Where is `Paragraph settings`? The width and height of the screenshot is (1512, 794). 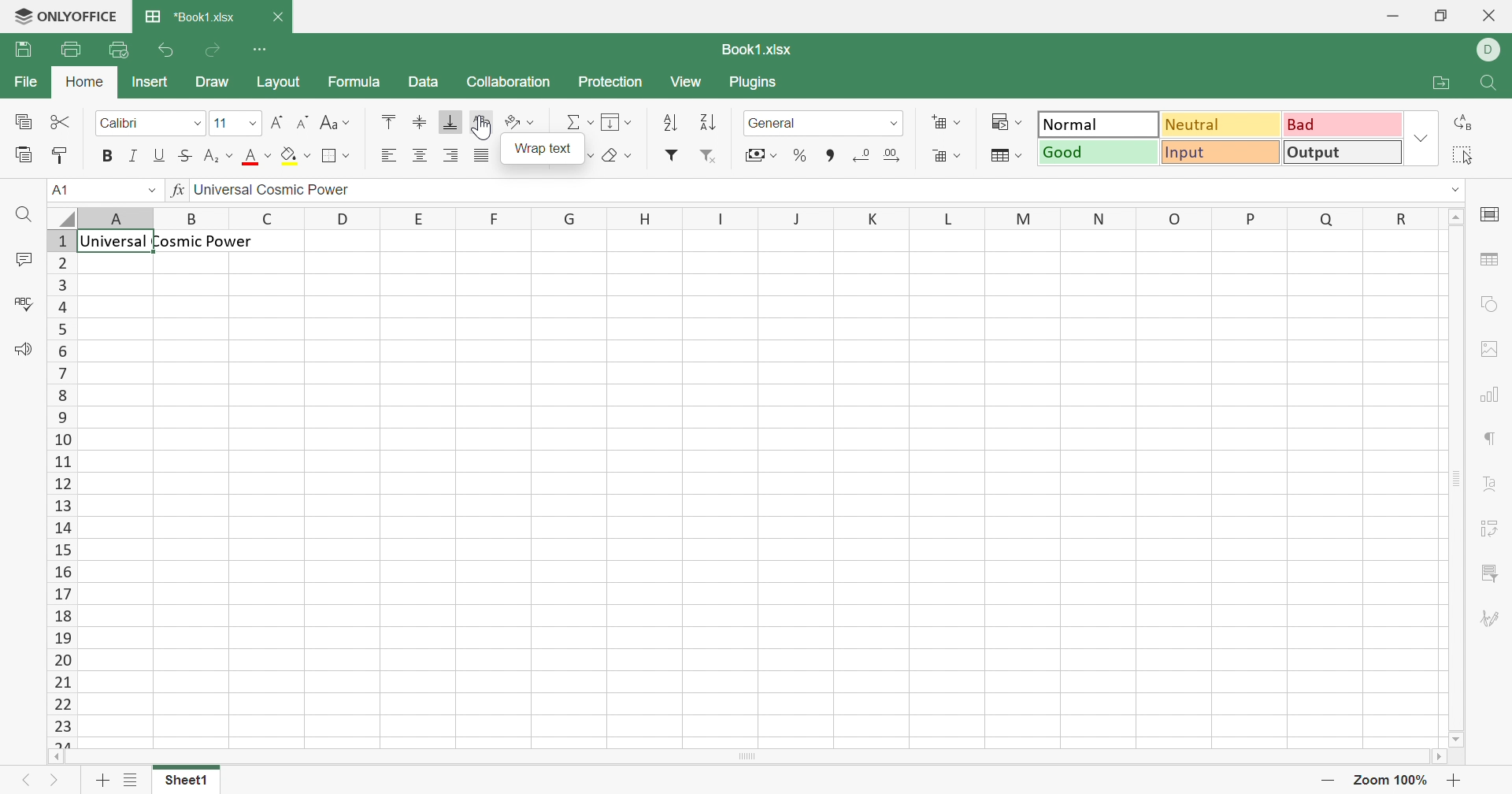
Paragraph settings is located at coordinates (1492, 442).